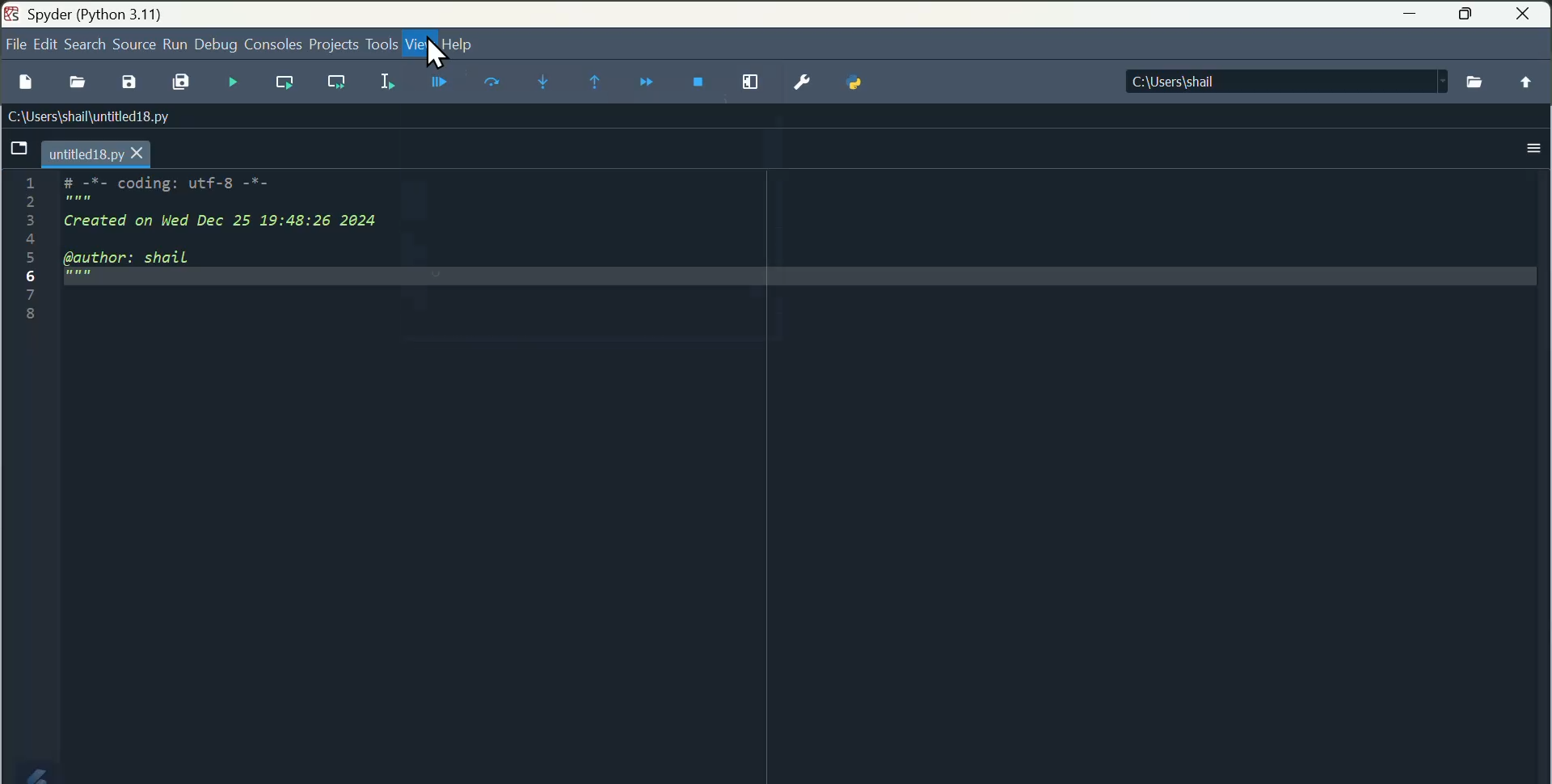  I want to click on Stop debugging, so click(698, 86).